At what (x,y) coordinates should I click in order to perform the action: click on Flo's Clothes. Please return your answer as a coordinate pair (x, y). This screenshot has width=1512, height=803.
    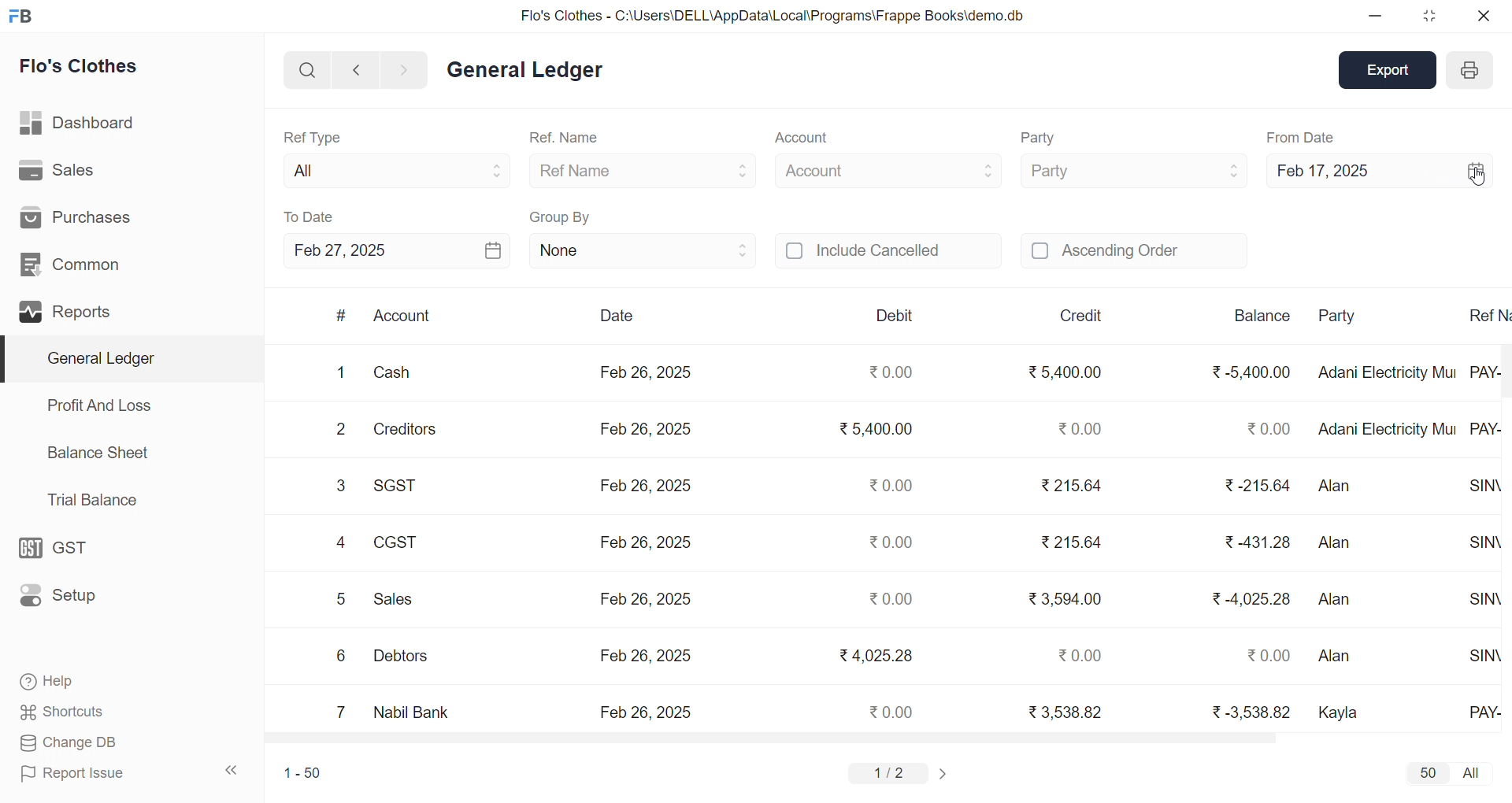
    Looking at the image, I should click on (80, 66).